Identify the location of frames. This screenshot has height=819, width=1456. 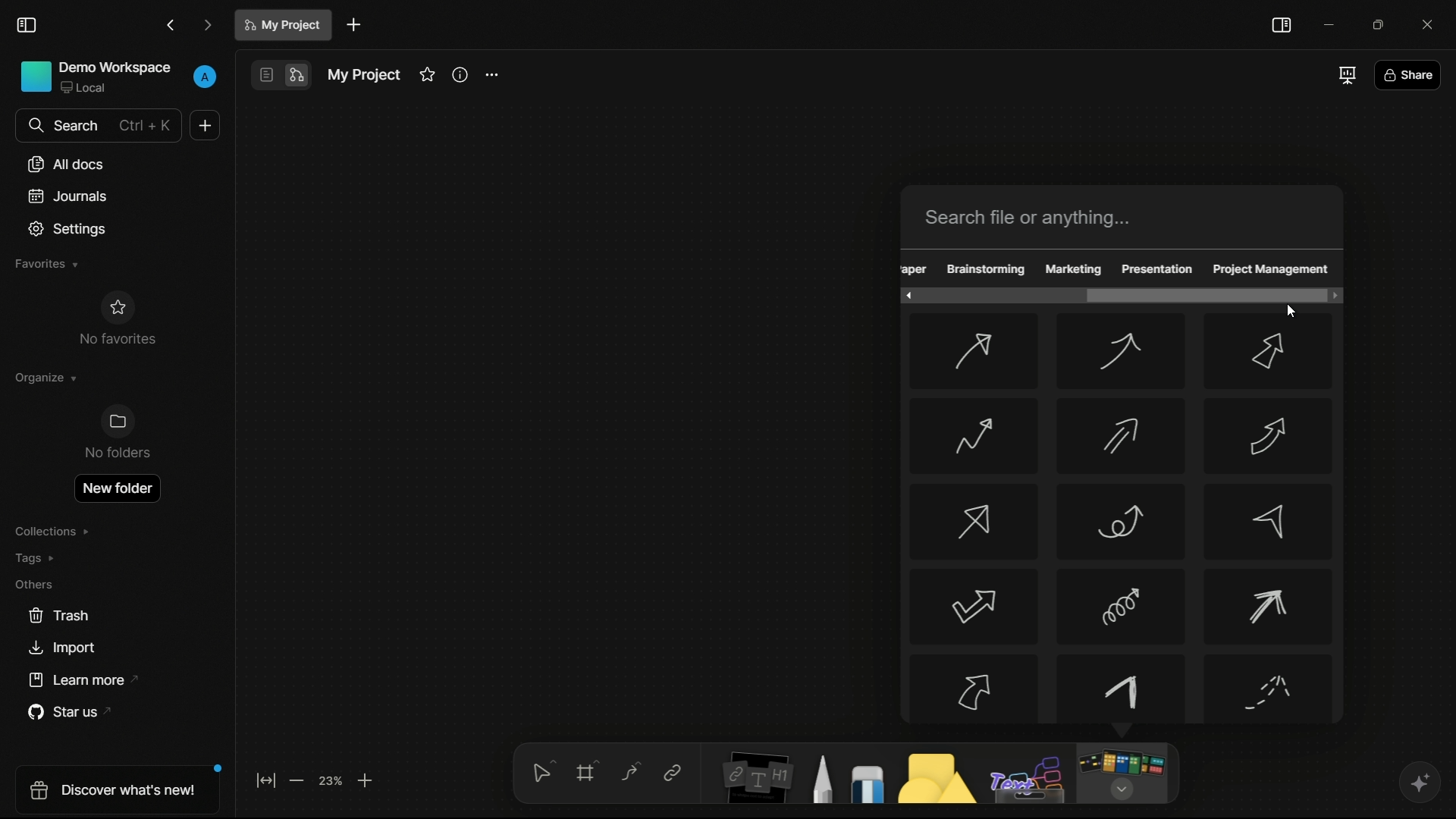
(589, 770).